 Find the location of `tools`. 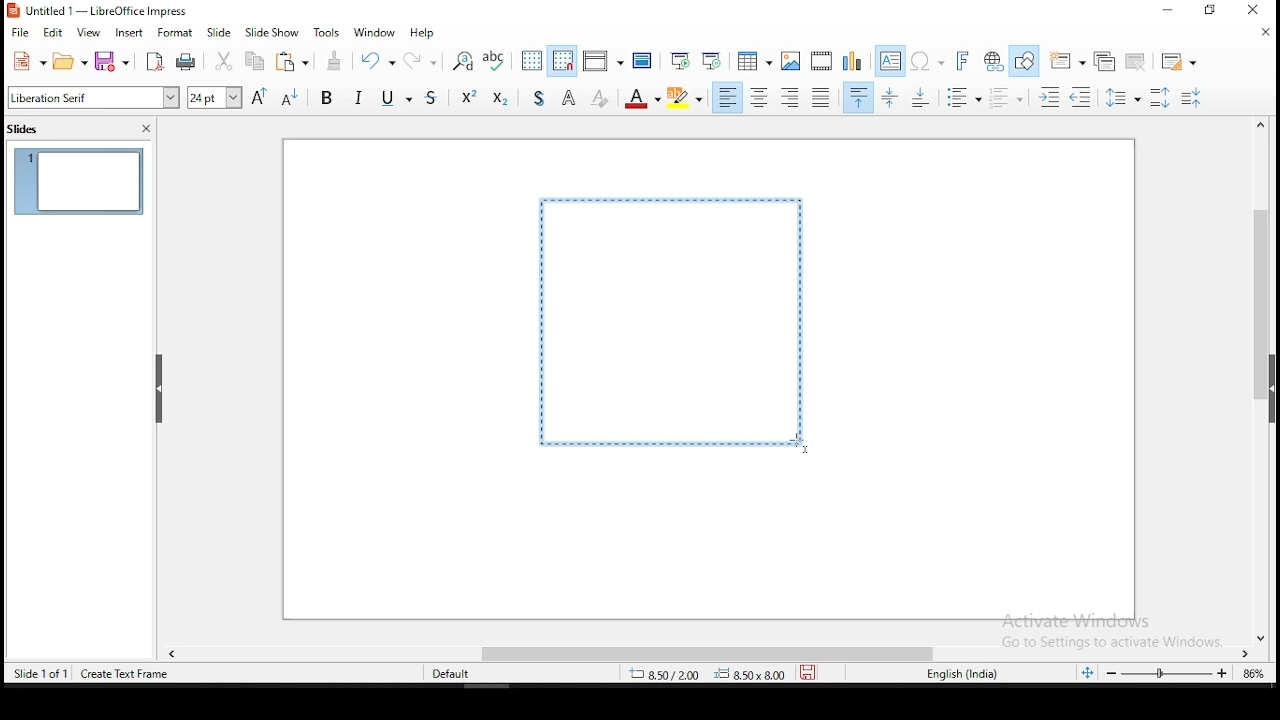

tools is located at coordinates (323, 32).